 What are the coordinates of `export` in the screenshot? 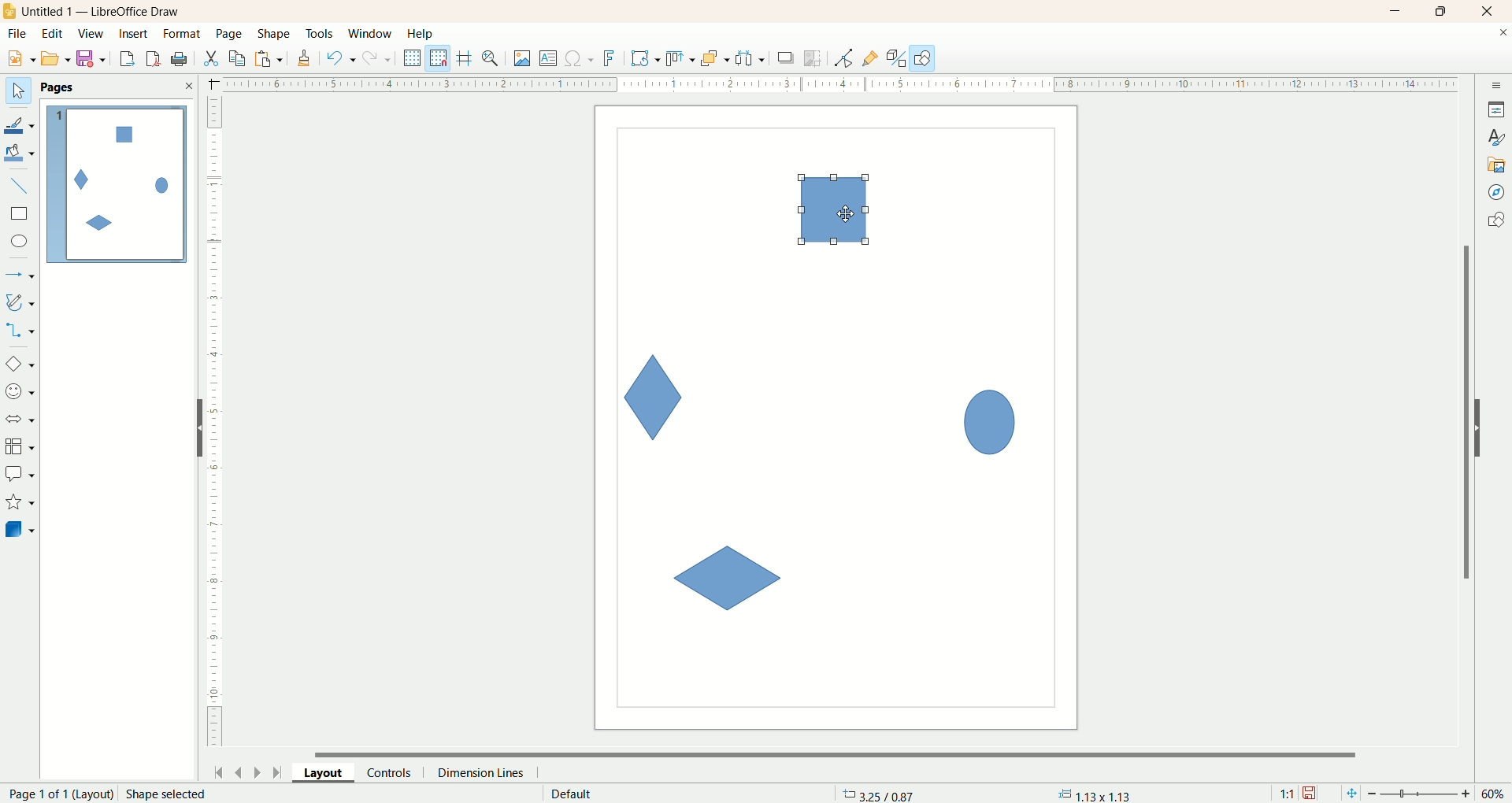 It's located at (126, 56).